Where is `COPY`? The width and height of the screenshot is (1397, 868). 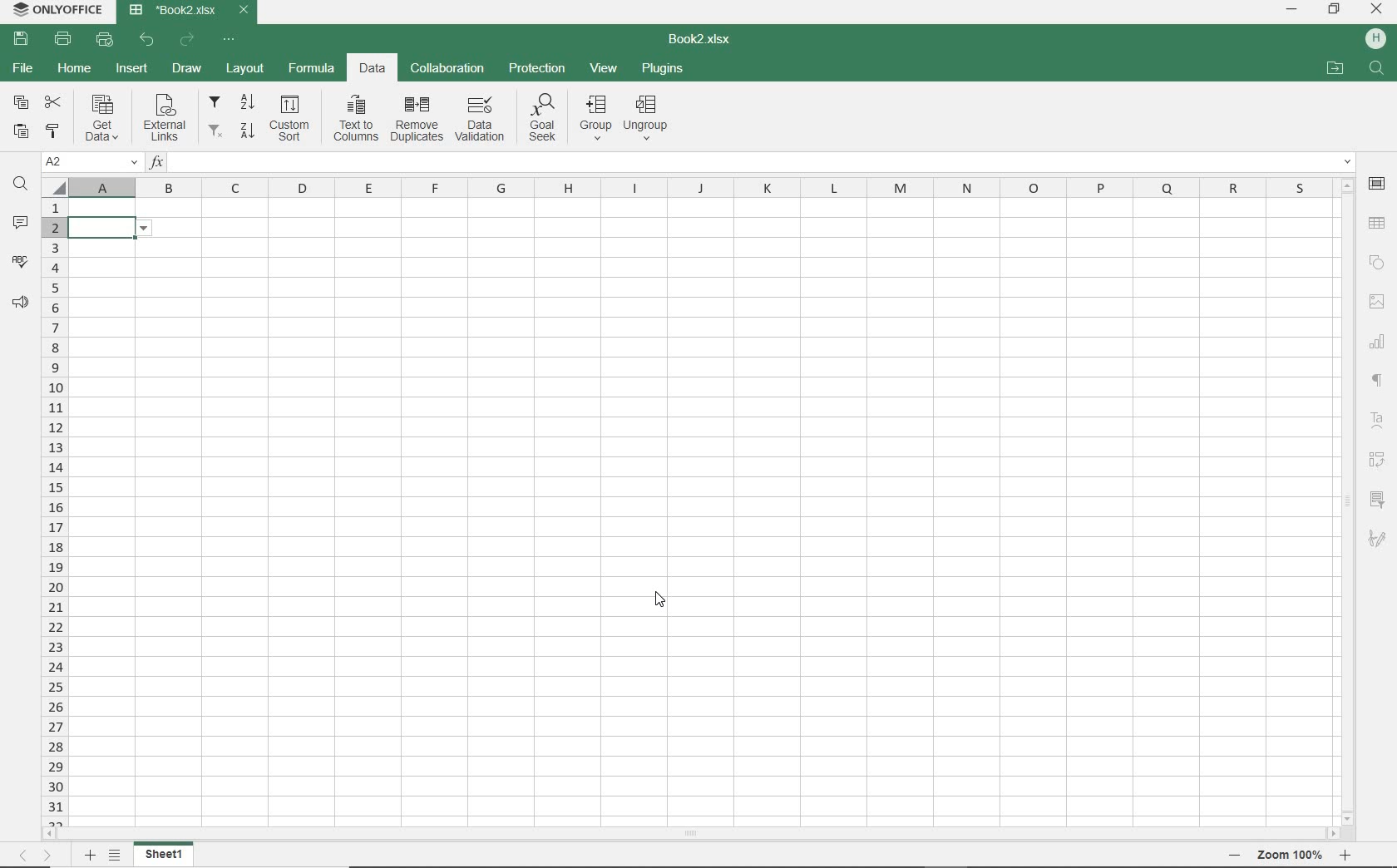 COPY is located at coordinates (20, 104).